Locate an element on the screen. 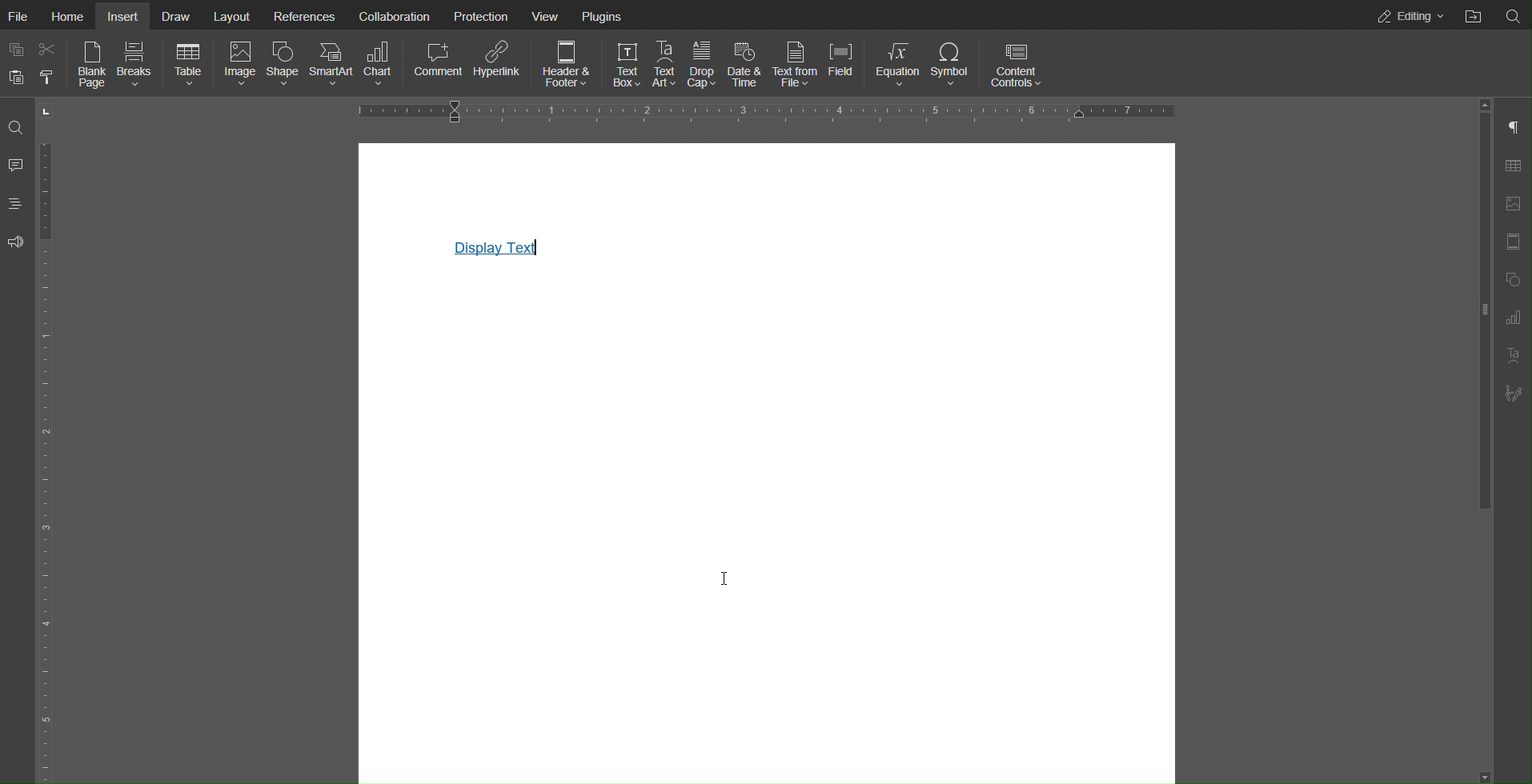 This screenshot has height=784, width=1532. Symbol is located at coordinates (952, 64).